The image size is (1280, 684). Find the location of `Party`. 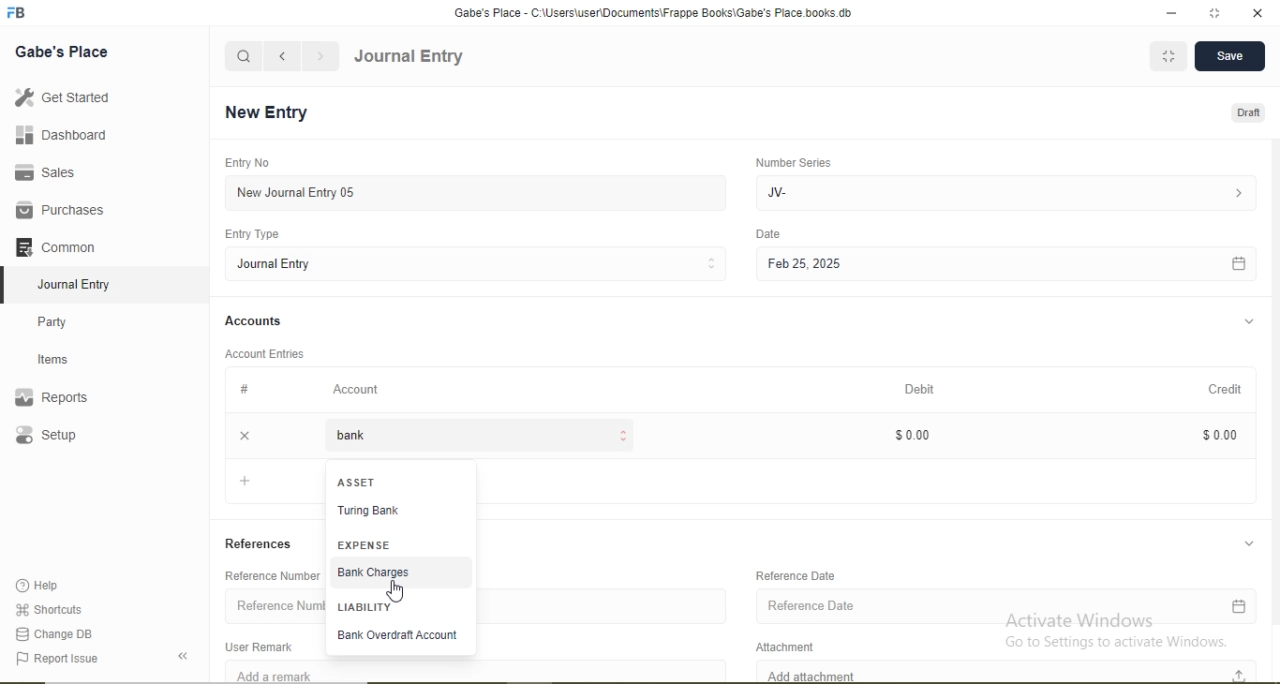

Party is located at coordinates (66, 320).